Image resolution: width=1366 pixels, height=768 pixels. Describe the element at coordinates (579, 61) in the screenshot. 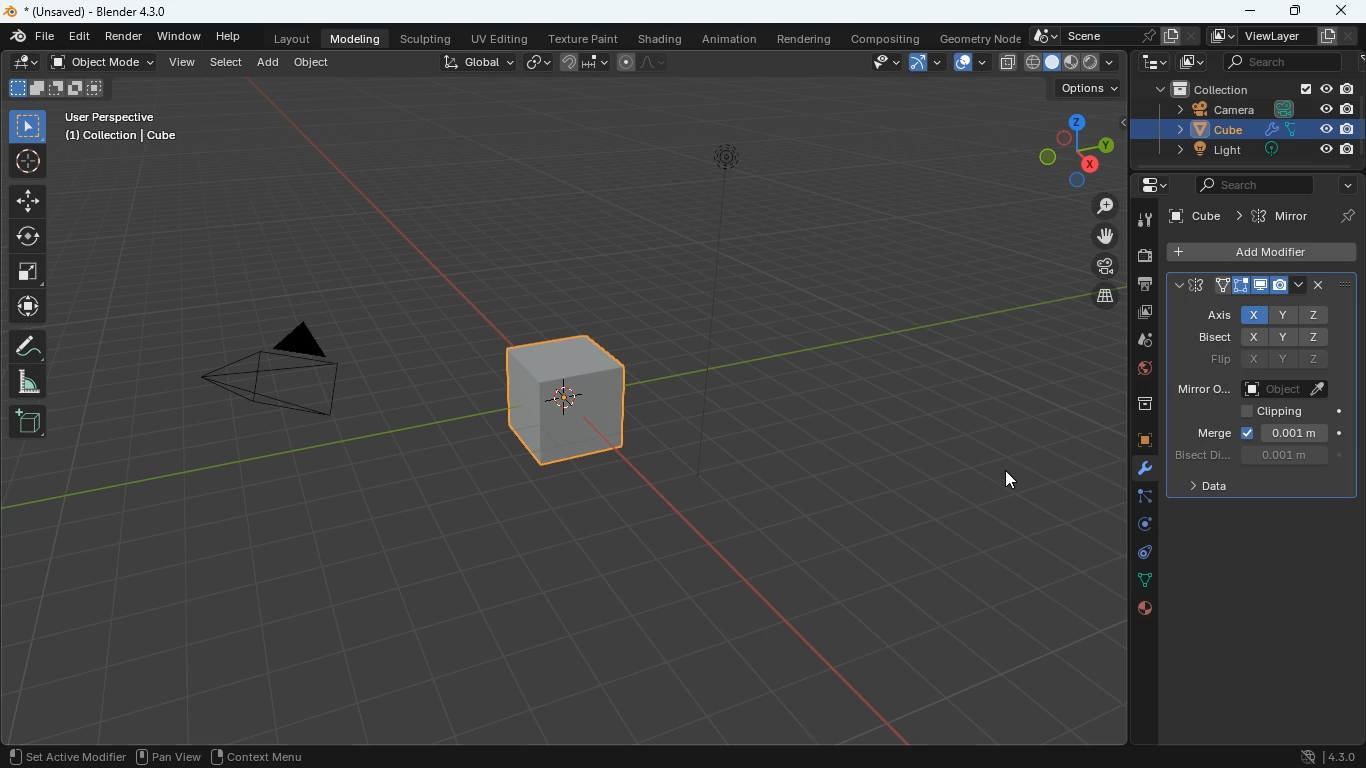

I see `join` at that location.